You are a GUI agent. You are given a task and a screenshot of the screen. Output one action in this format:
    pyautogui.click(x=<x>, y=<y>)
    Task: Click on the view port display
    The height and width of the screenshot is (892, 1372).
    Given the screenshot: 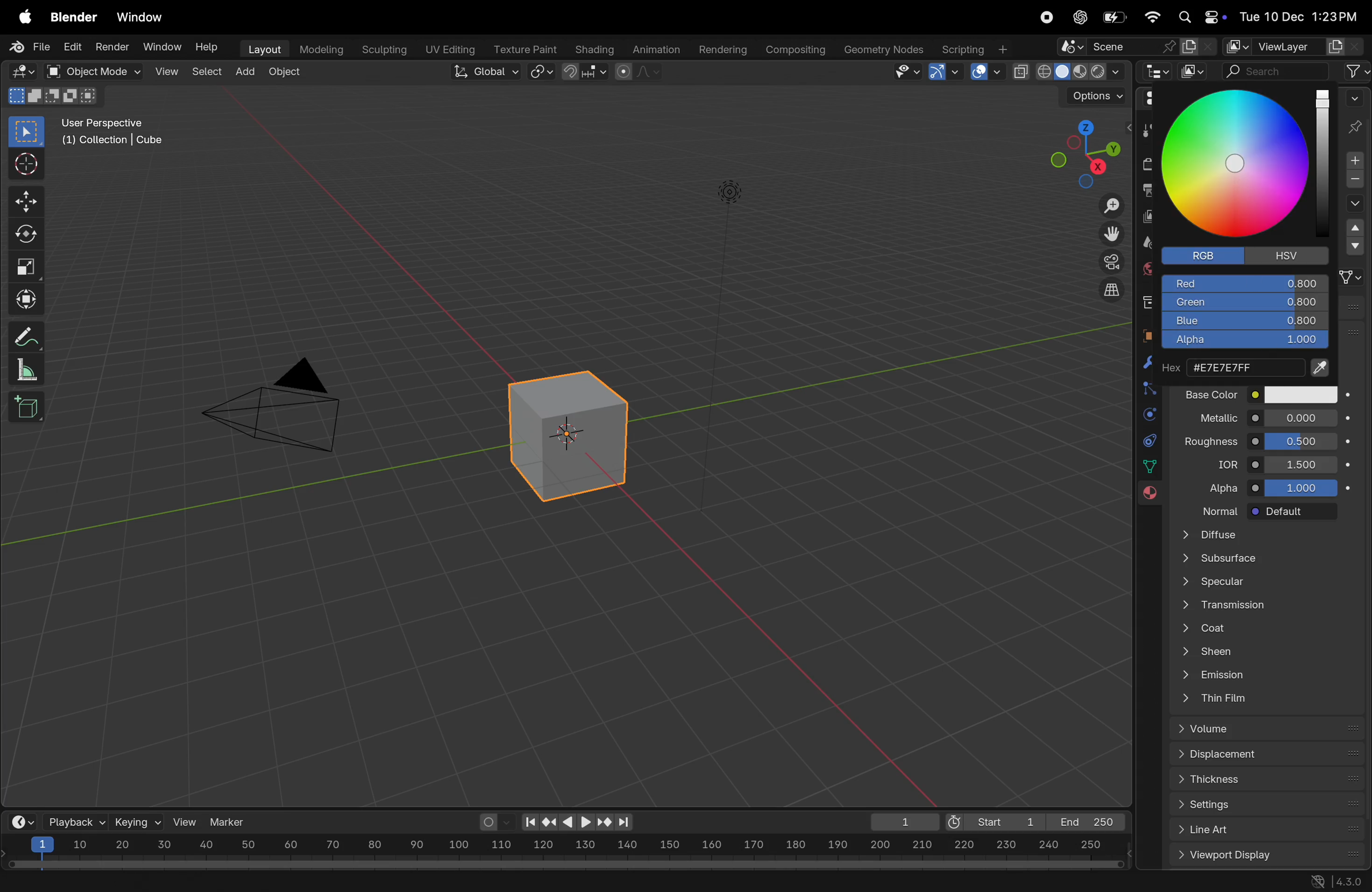 What is the action you would take?
    pyautogui.click(x=1269, y=856)
    